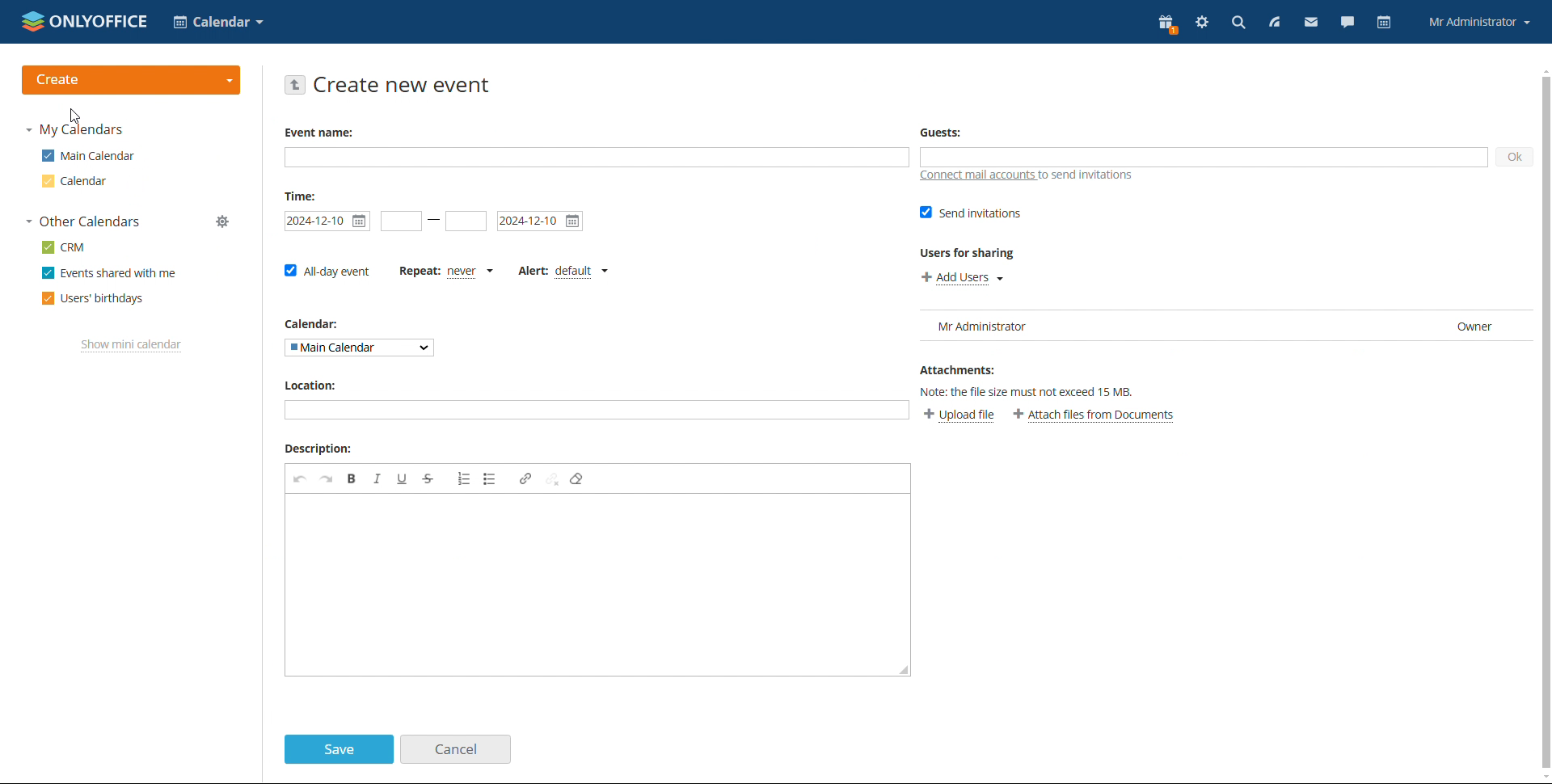 The width and height of the screenshot is (1552, 784). Describe the element at coordinates (300, 478) in the screenshot. I see `undo` at that location.